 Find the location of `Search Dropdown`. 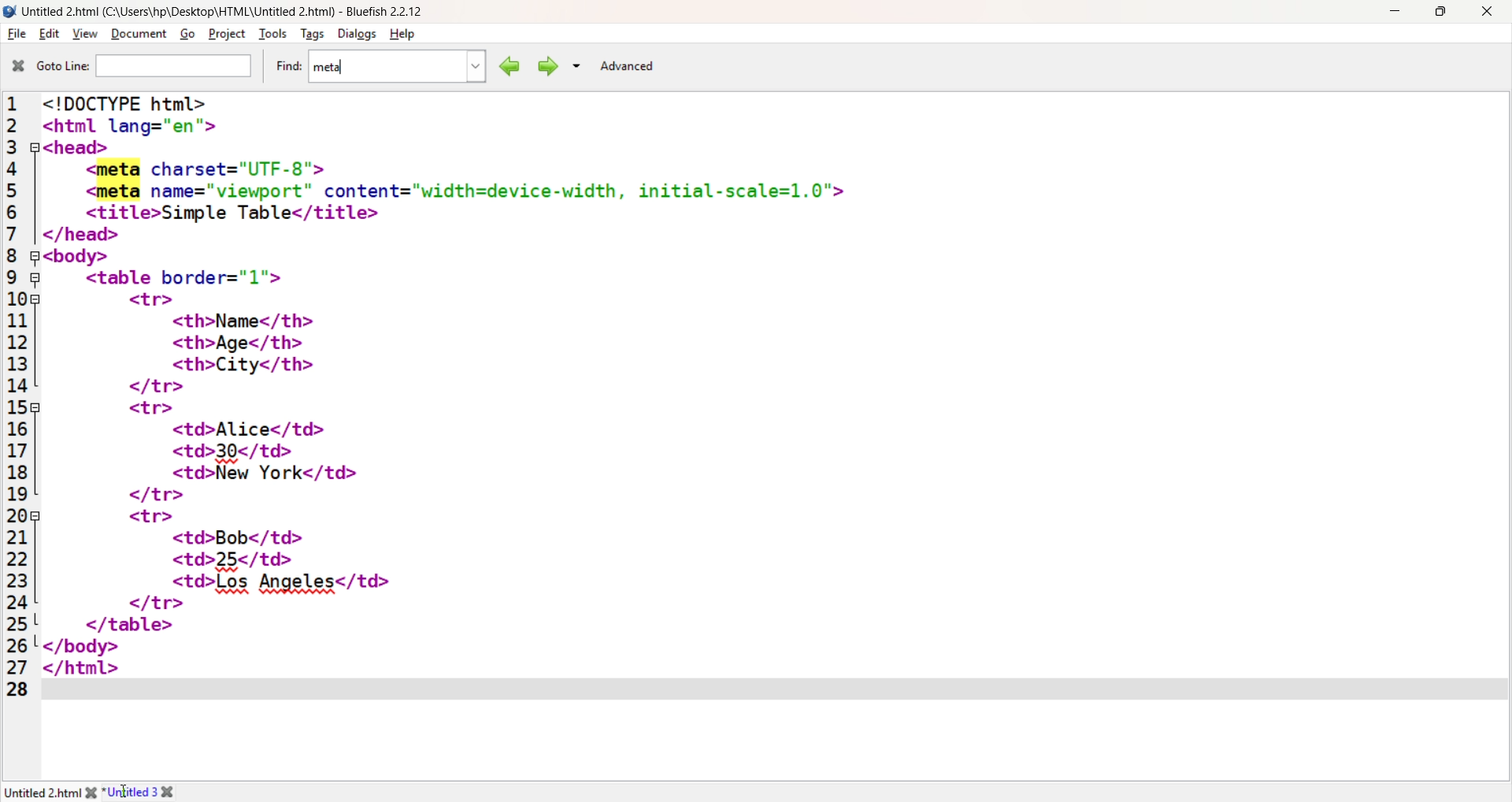

Search Dropdown is located at coordinates (576, 65).